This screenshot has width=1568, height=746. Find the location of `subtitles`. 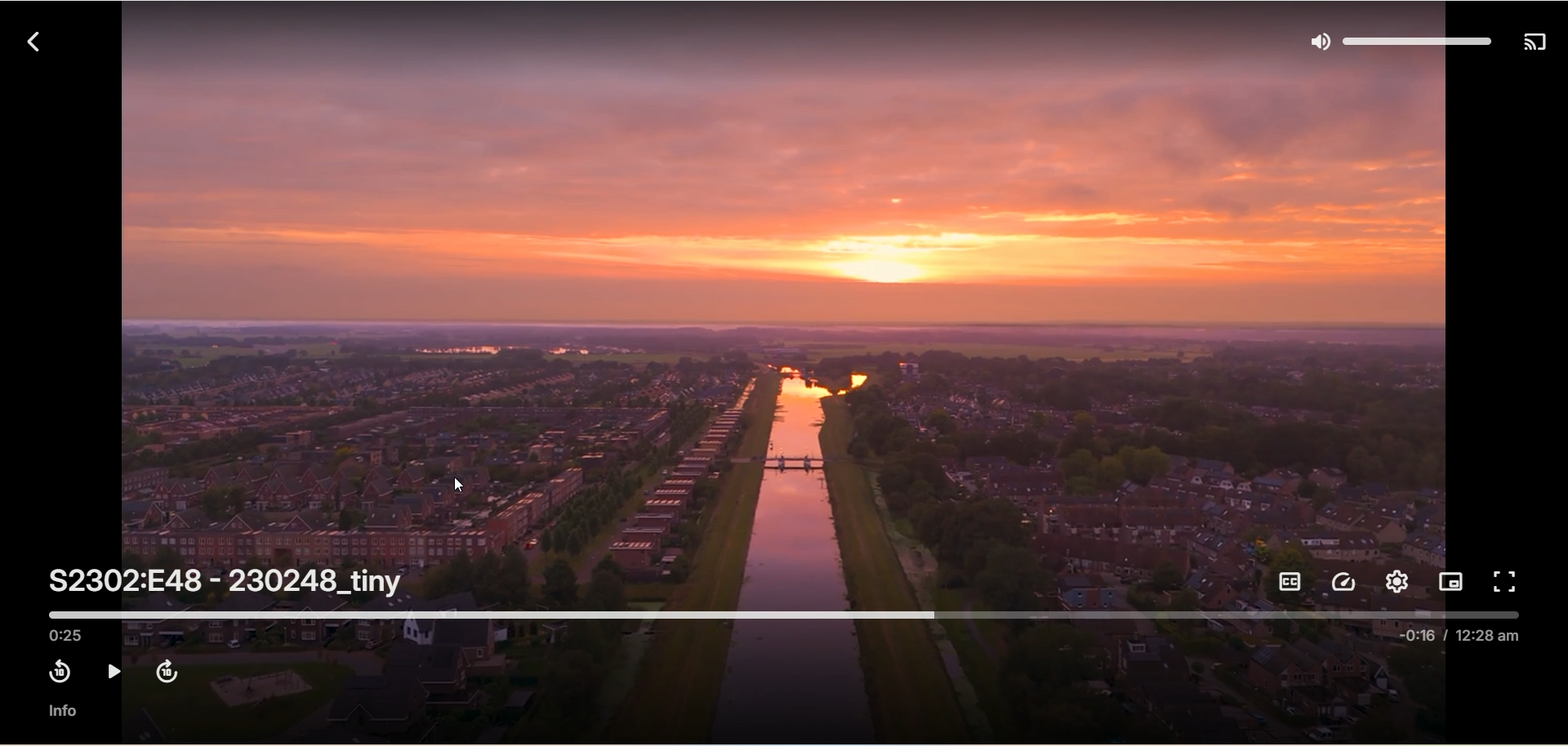

subtitles is located at coordinates (1293, 581).